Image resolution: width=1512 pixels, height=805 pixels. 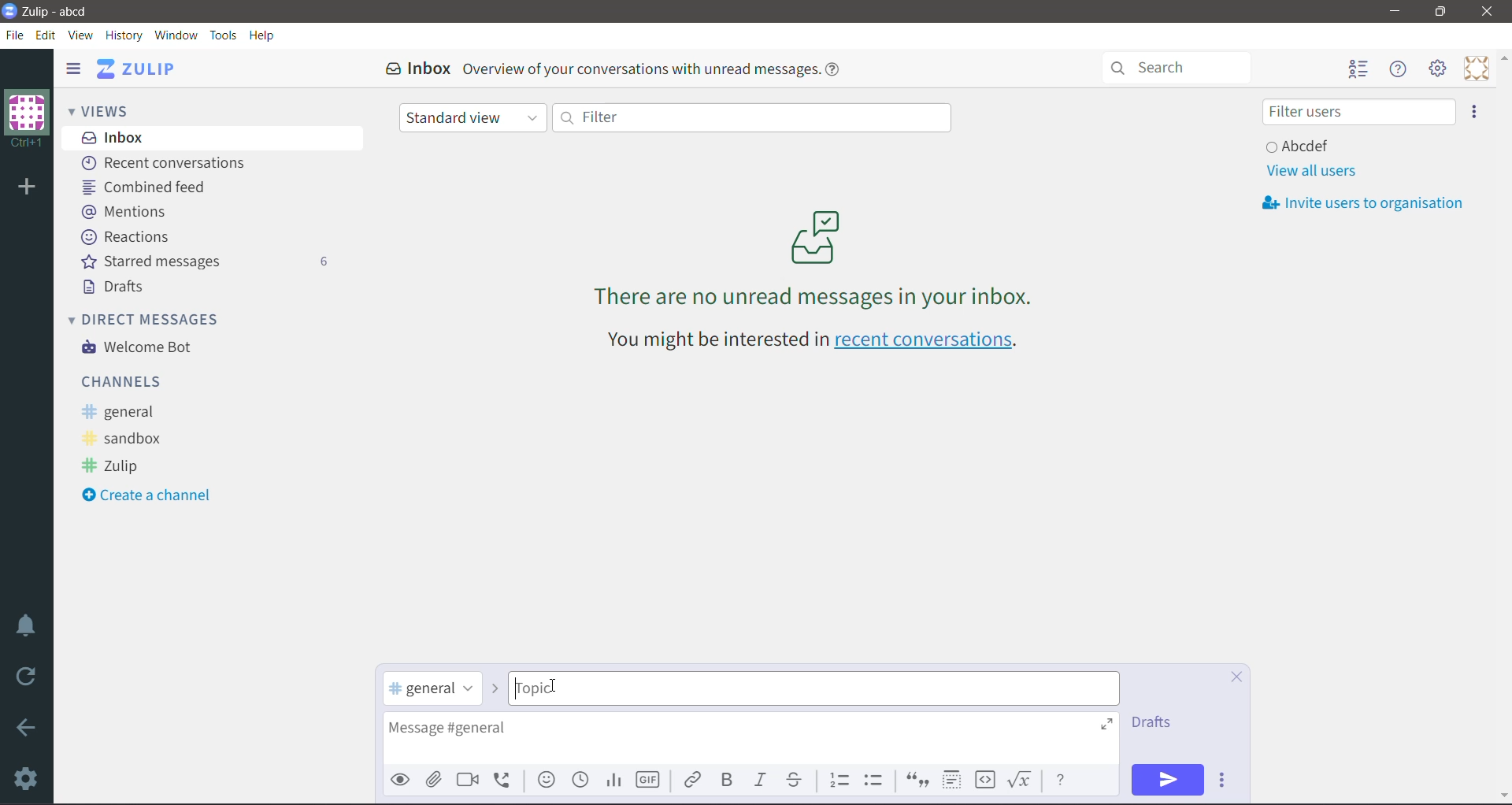 I want to click on Math, so click(x=1022, y=780).